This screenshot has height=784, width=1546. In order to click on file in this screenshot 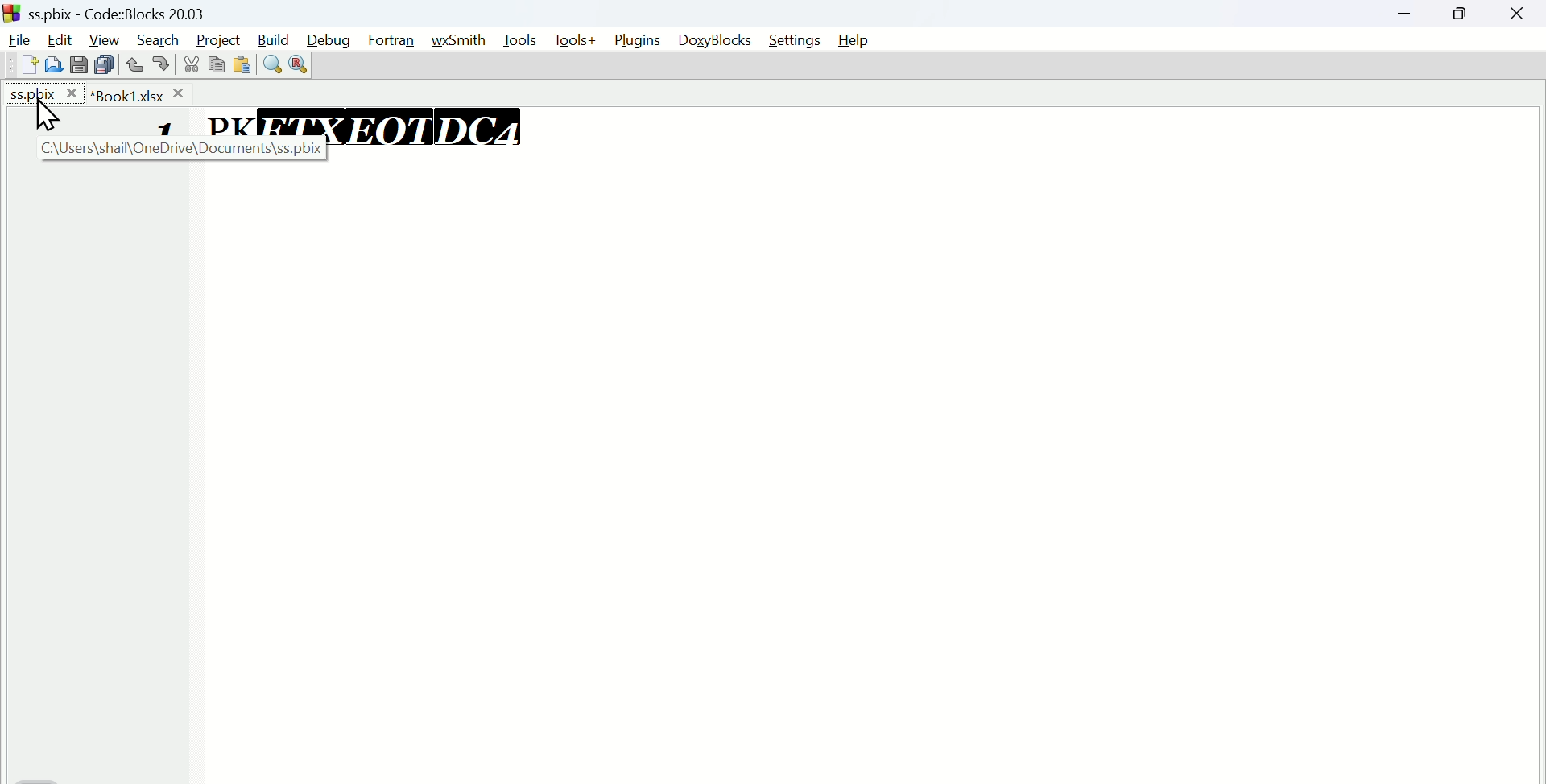, I will do `click(19, 38)`.